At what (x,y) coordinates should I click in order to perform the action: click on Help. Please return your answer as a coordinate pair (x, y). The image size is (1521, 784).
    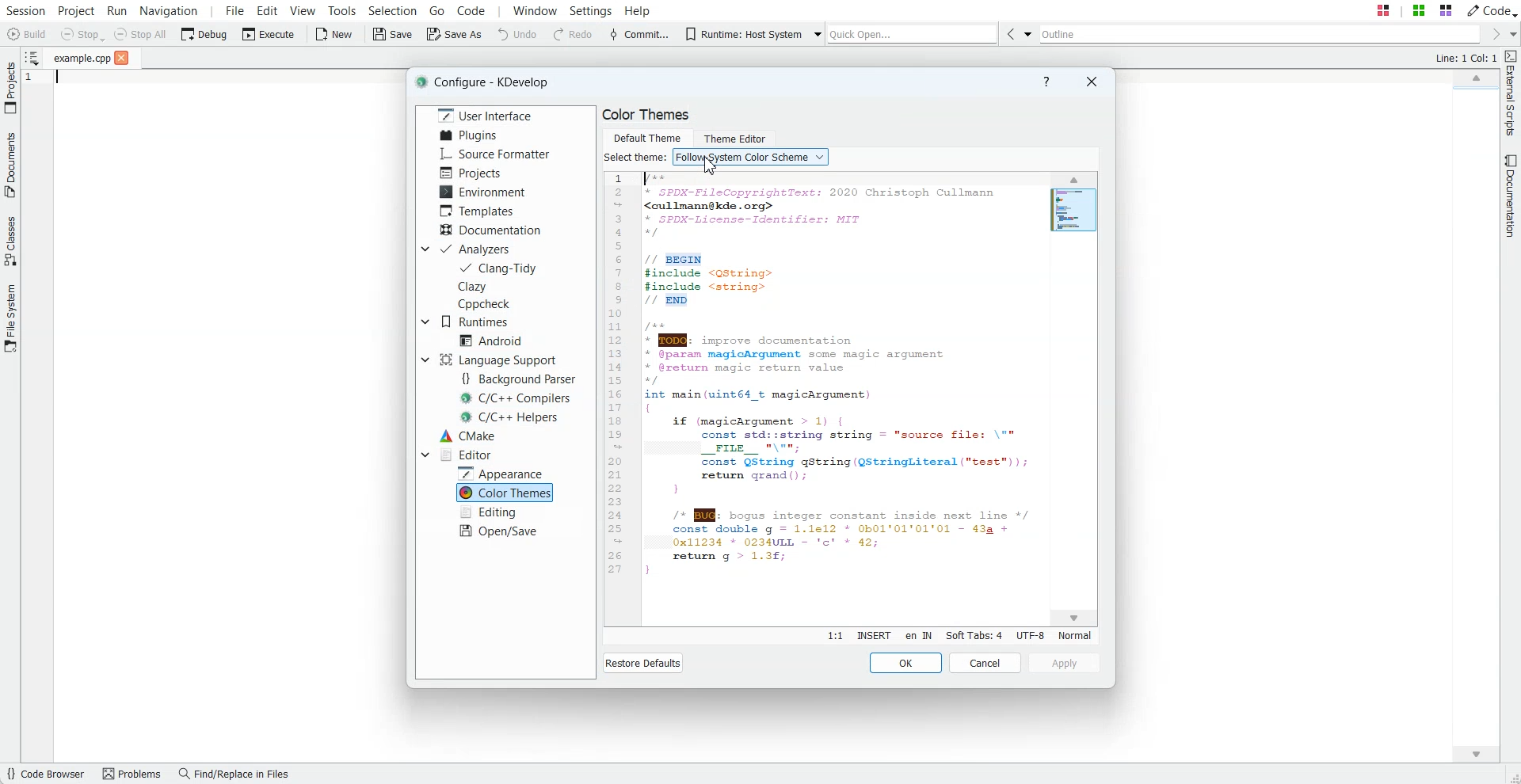
    Looking at the image, I should click on (1046, 82).